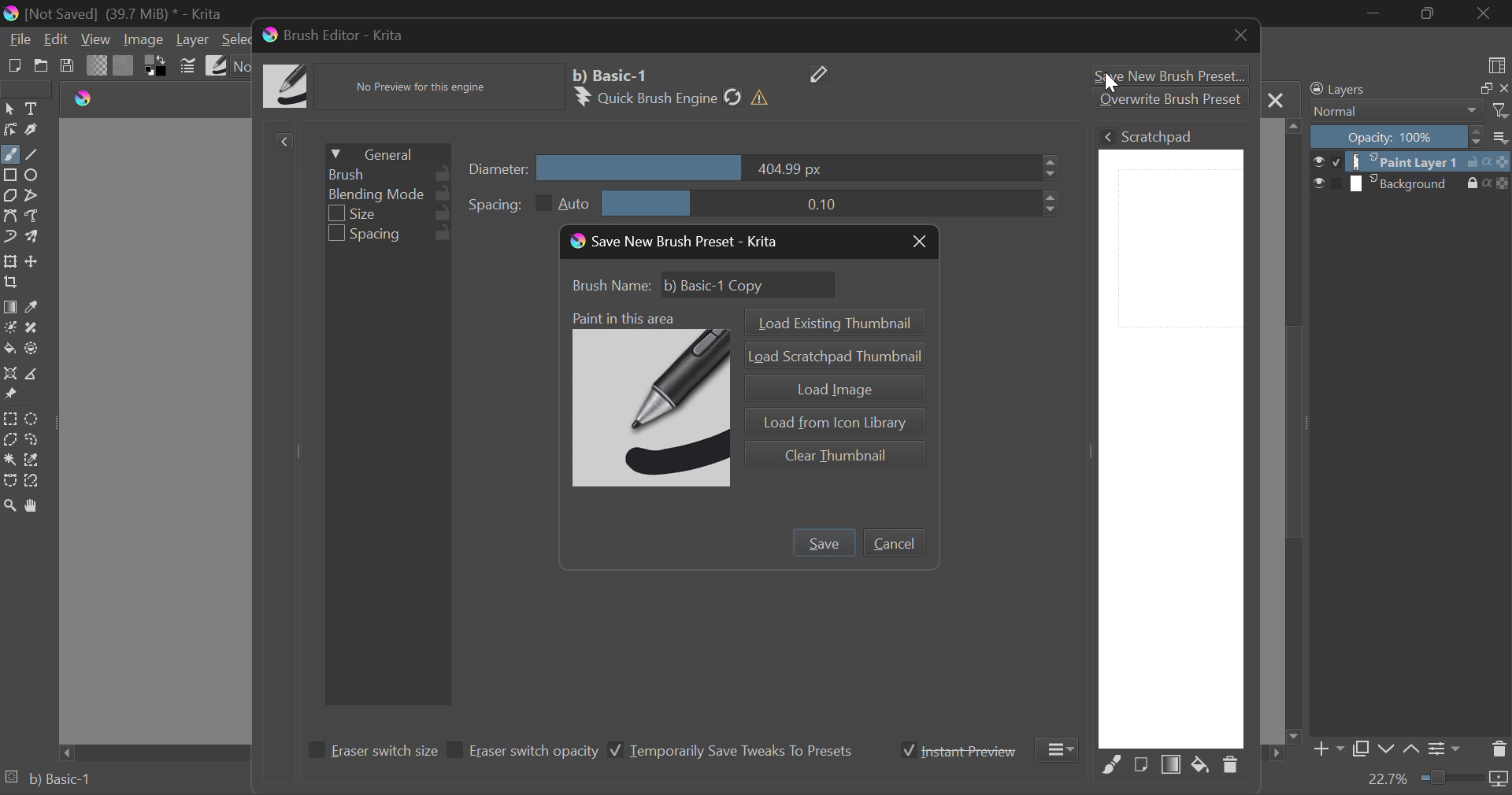  I want to click on Brush Icon, so click(287, 87).